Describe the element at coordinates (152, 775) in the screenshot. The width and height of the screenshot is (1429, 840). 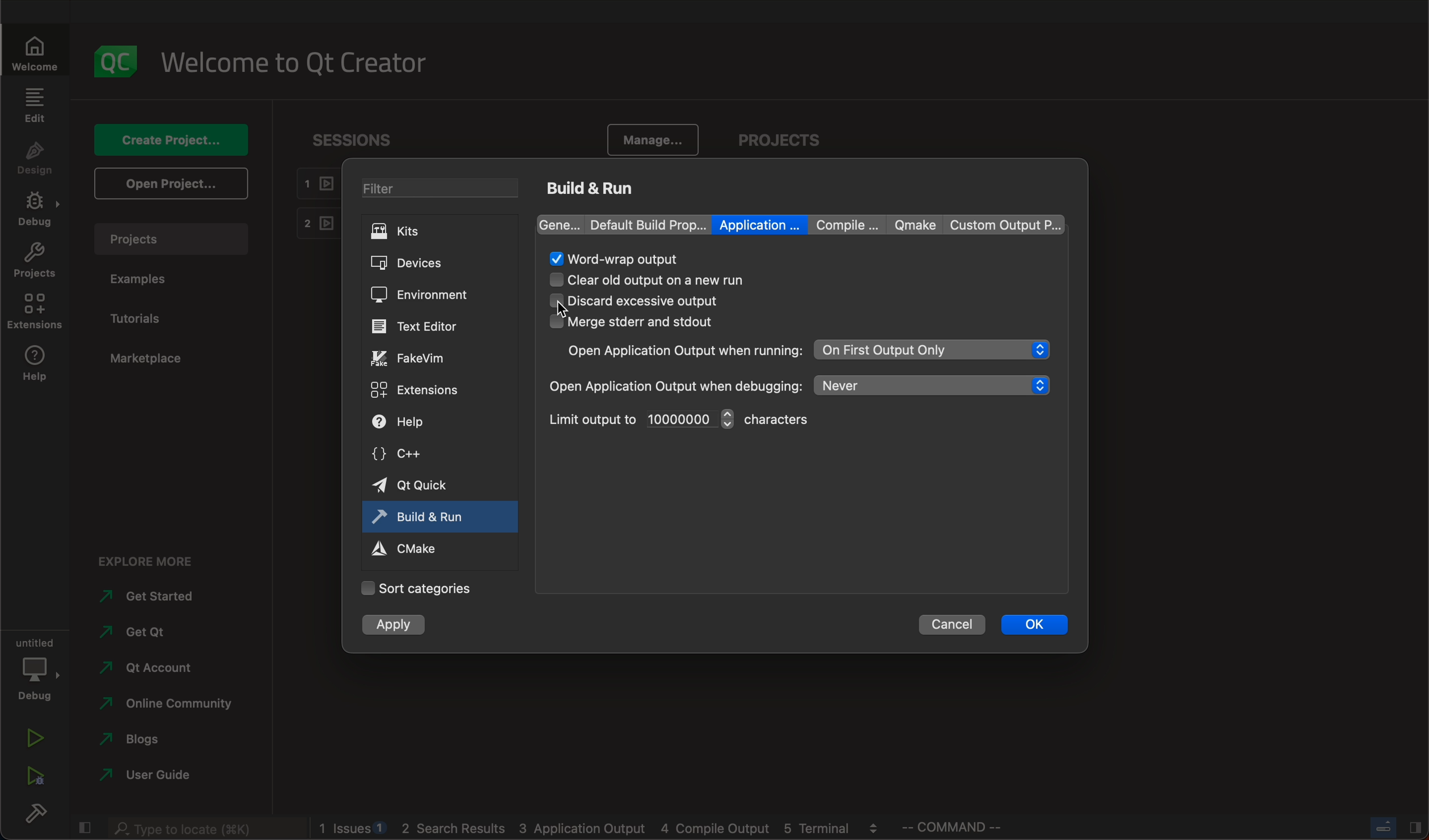
I see `user guide` at that location.